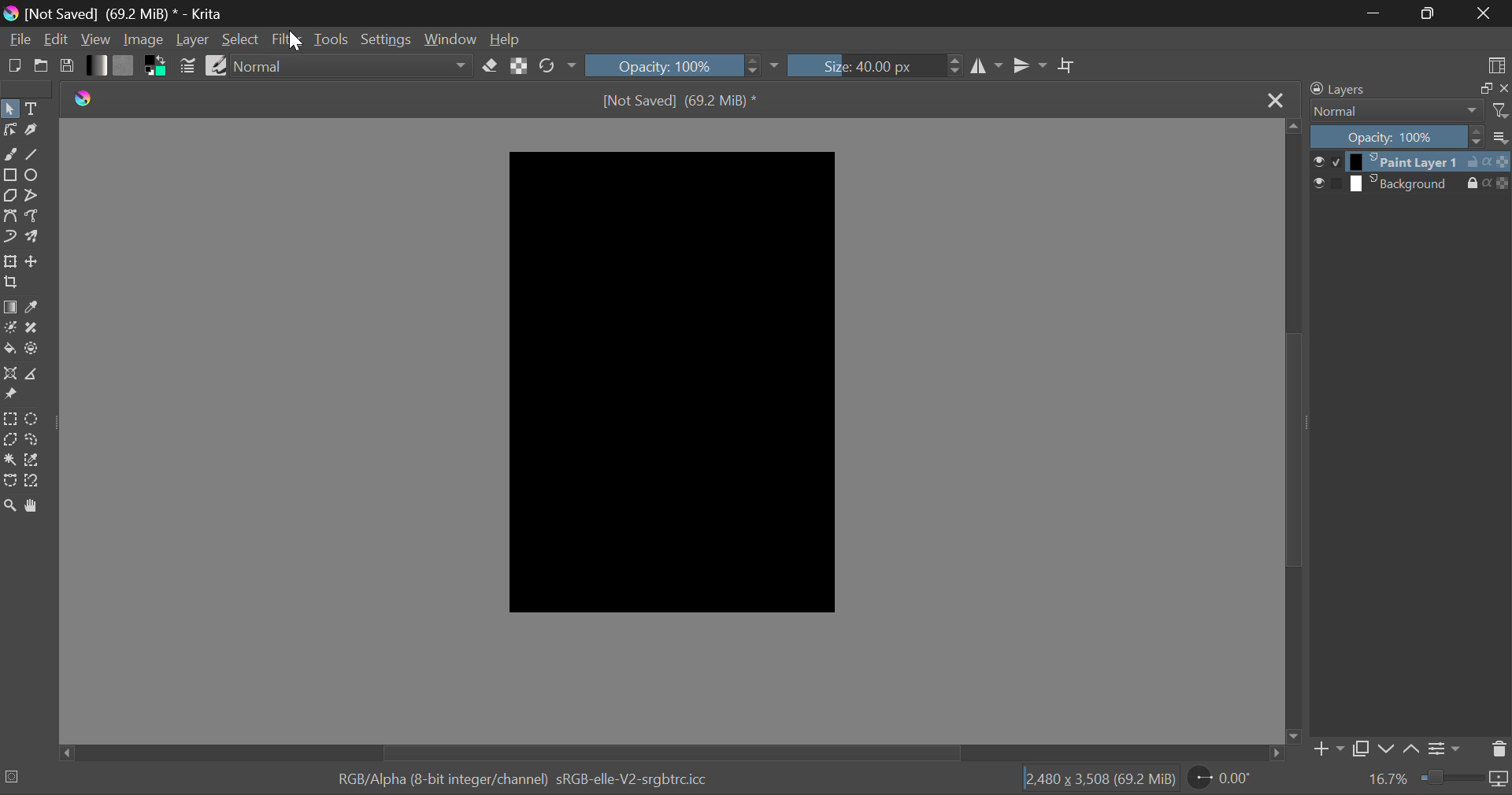  Describe the element at coordinates (33, 307) in the screenshot. I see `Eyedropper` at that location.